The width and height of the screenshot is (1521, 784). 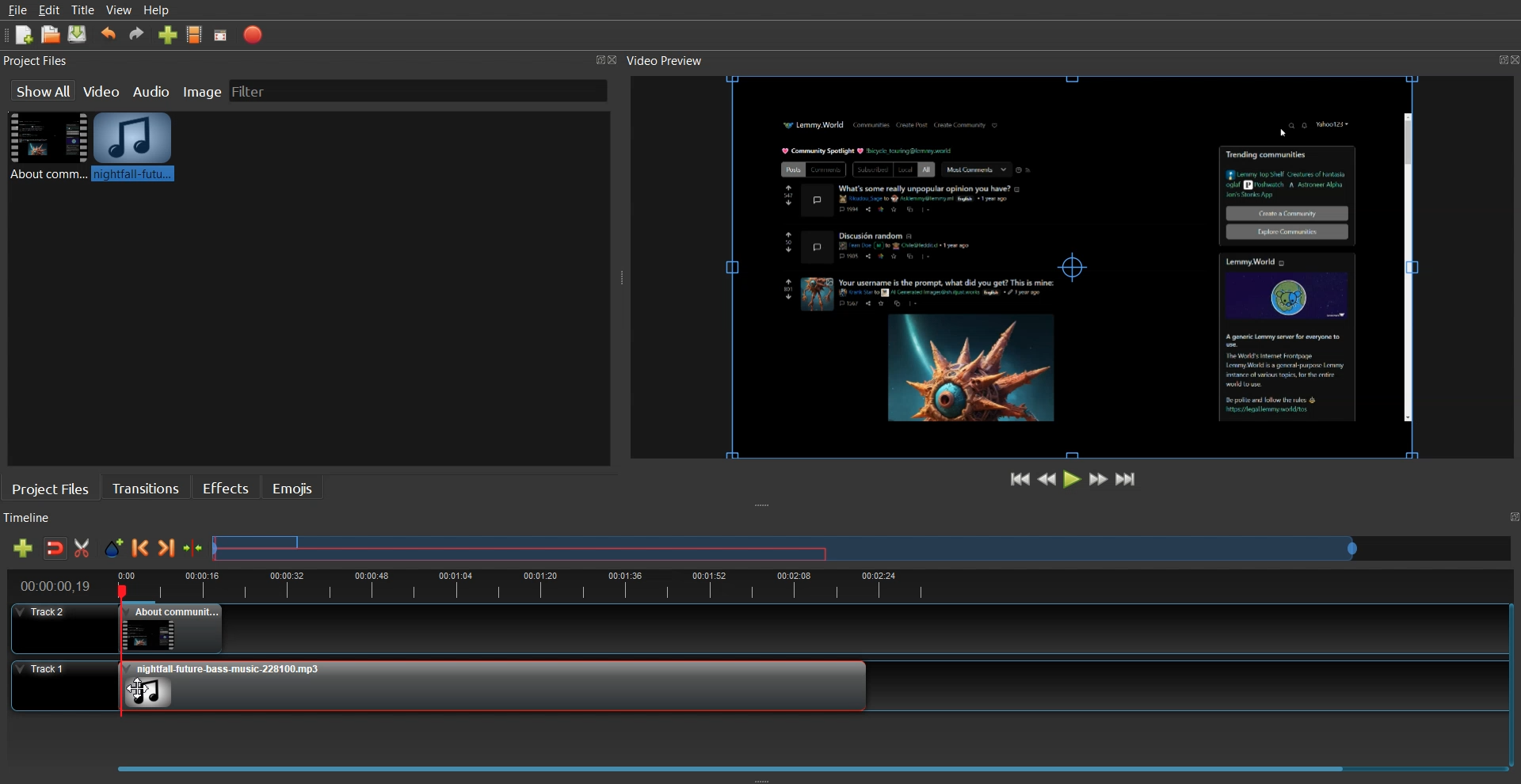 What do you see at coordinates (22, 548) in the screenshot?
I see `Add track` at bounding box center [22, 548].